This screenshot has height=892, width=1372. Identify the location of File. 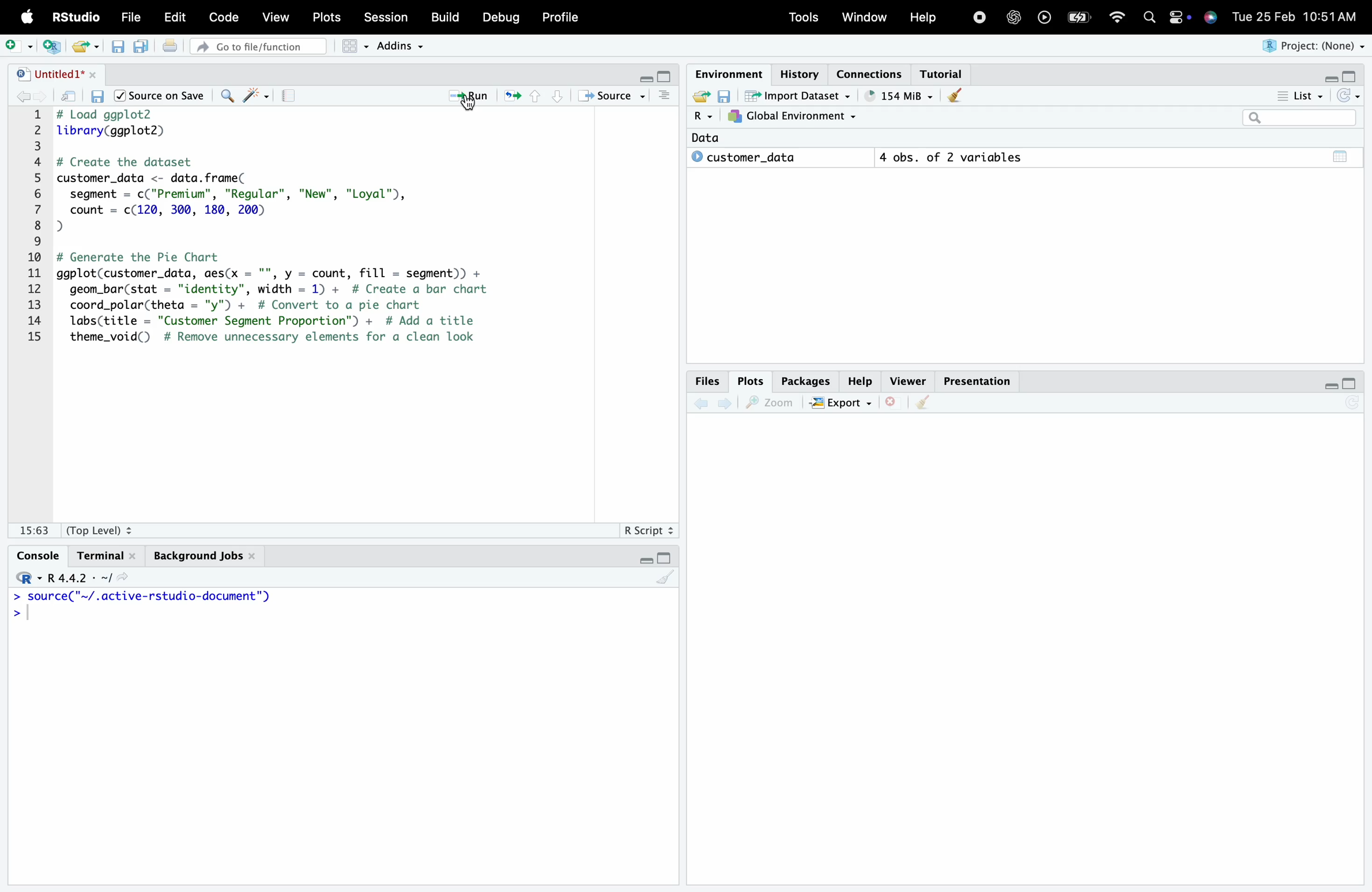
(134, 18).